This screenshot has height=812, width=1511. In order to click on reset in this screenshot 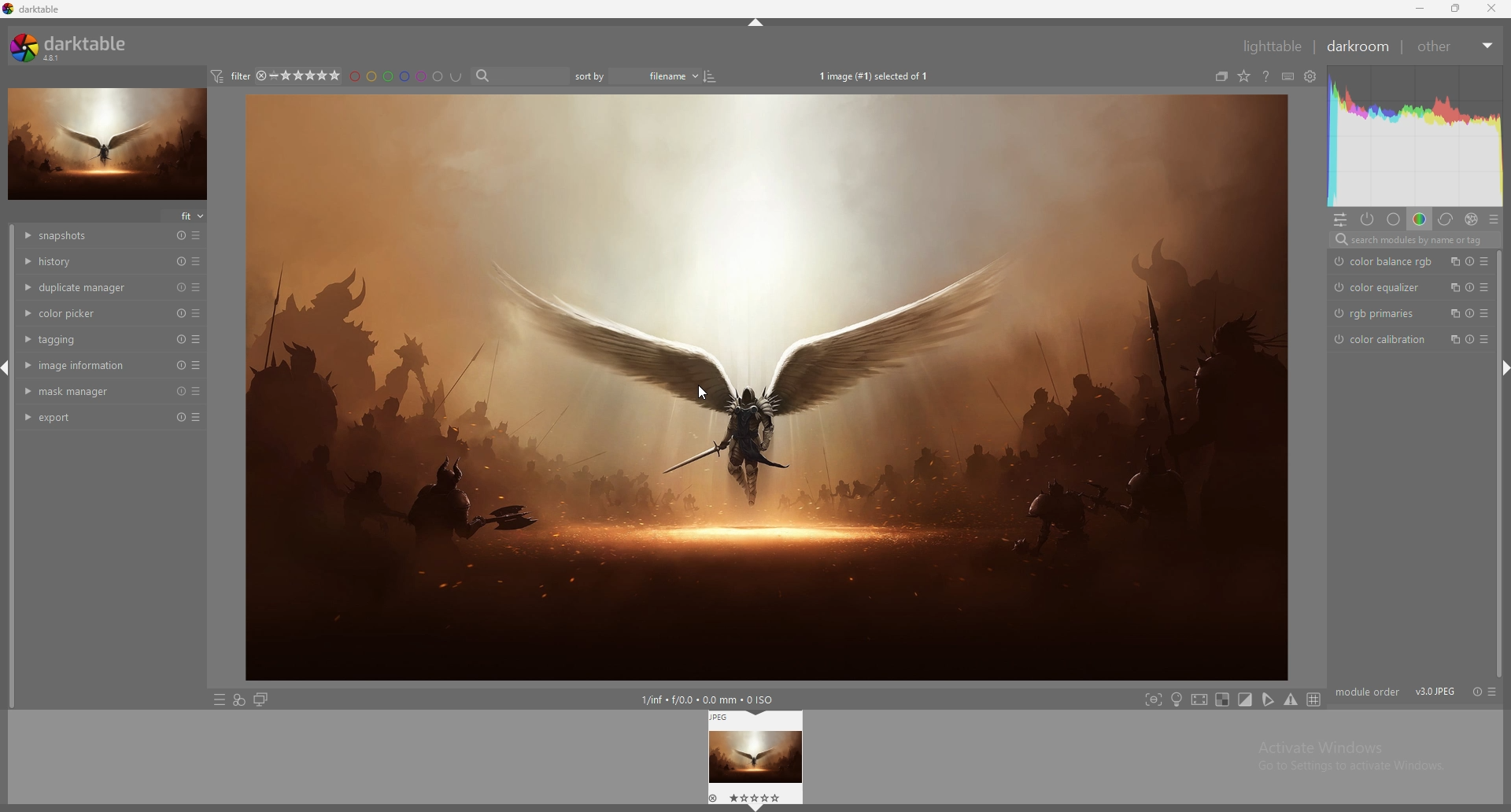, I will do `click(180, 312)`.